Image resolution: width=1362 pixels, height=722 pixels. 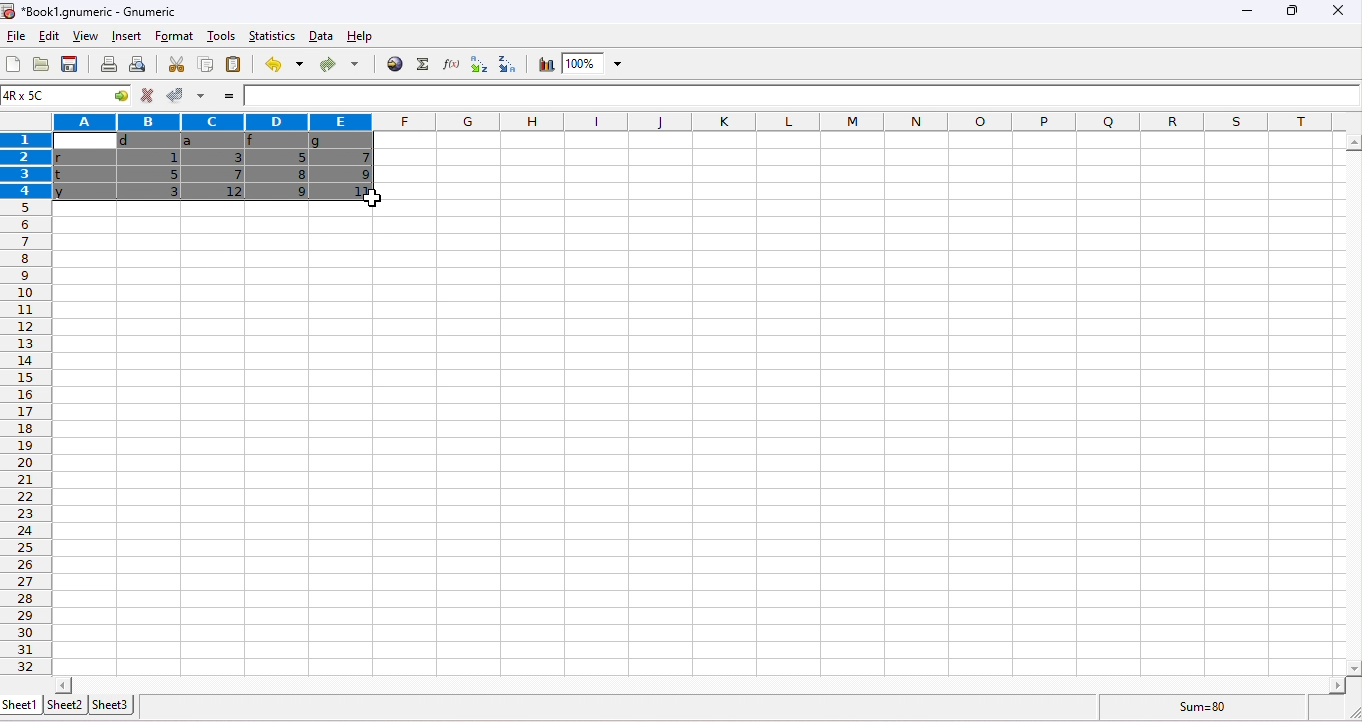 What do you see at coordinates (141, 64) in the screenshot?
I see `print preview` at bounding box center [141, 64].